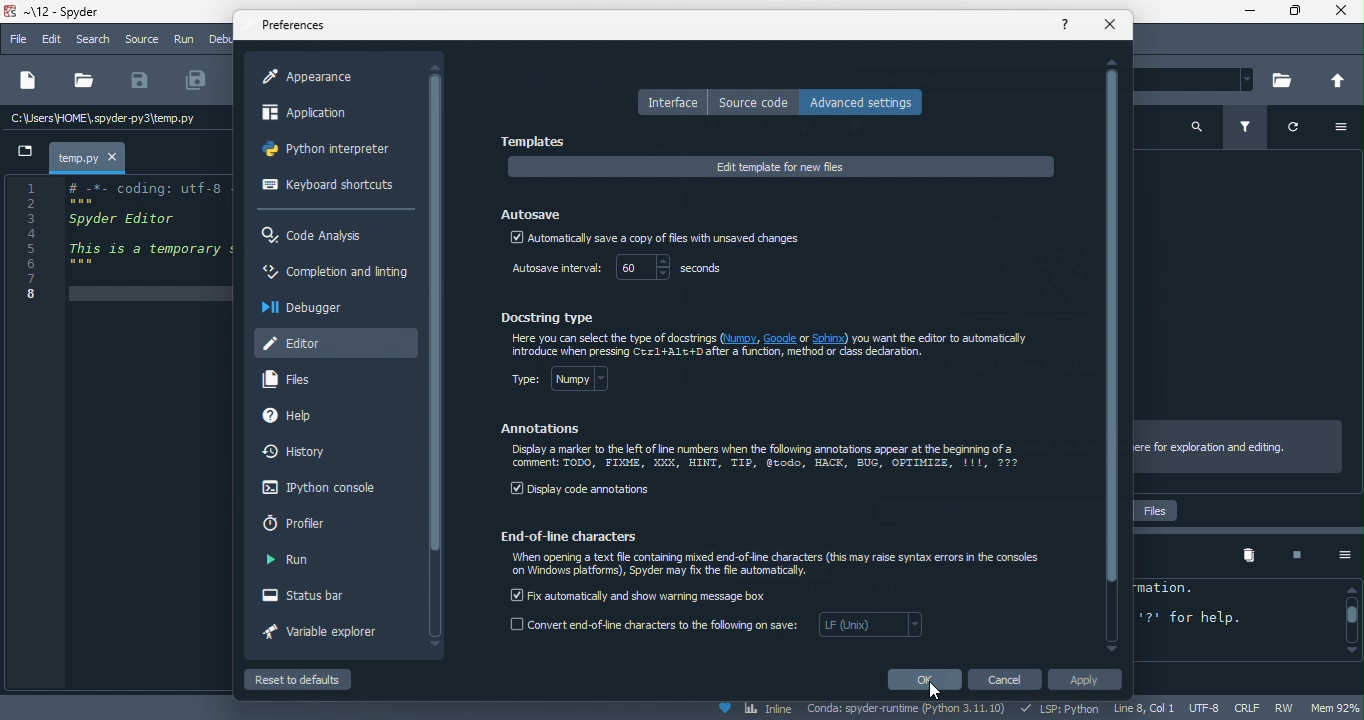 The width and height of the screenshot is (1364, 720). I want to click on debugger, so click(309, 307).